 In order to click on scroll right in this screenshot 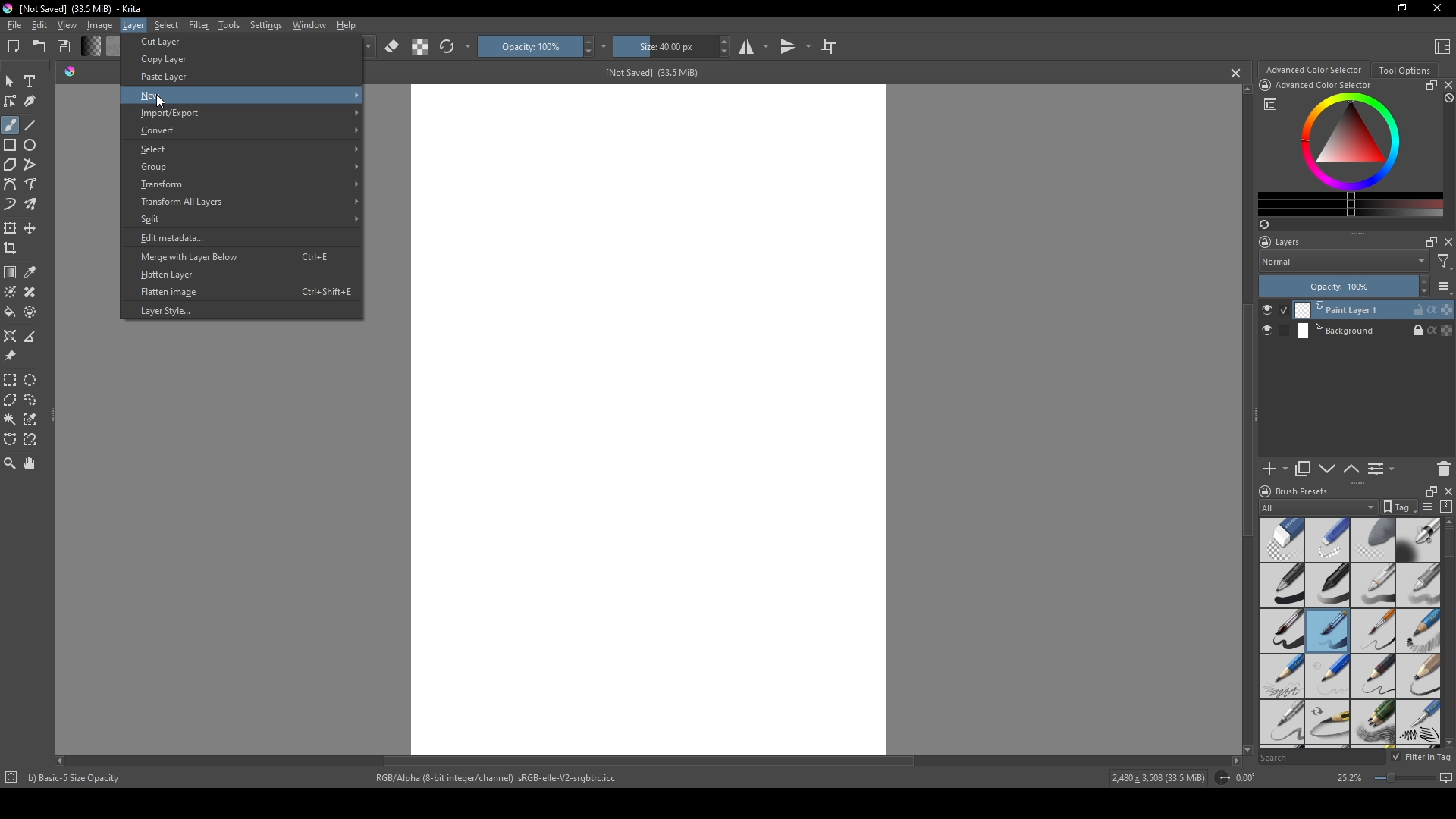, I will do `click(1236, 761)`.